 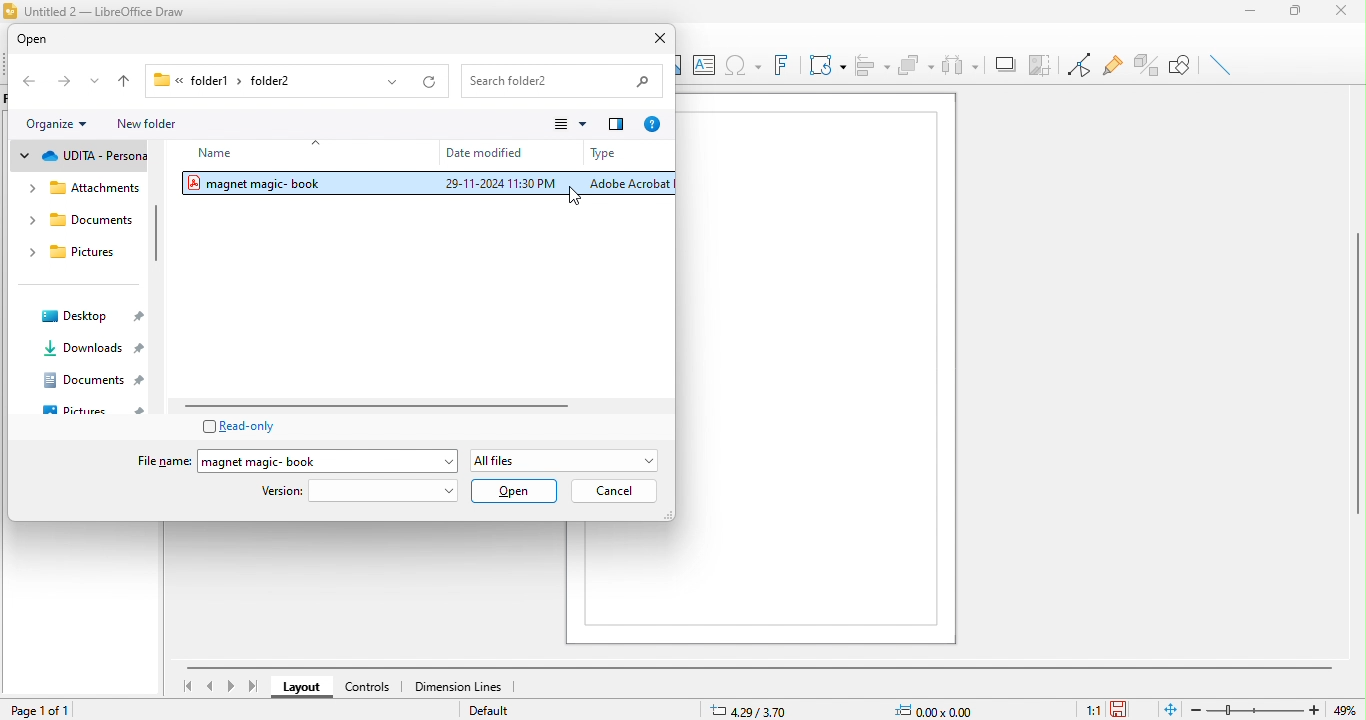 What do you see at coordinates (1041, 63) in the screenshot?
I see `crop image` at bounding box center [1041, 63].